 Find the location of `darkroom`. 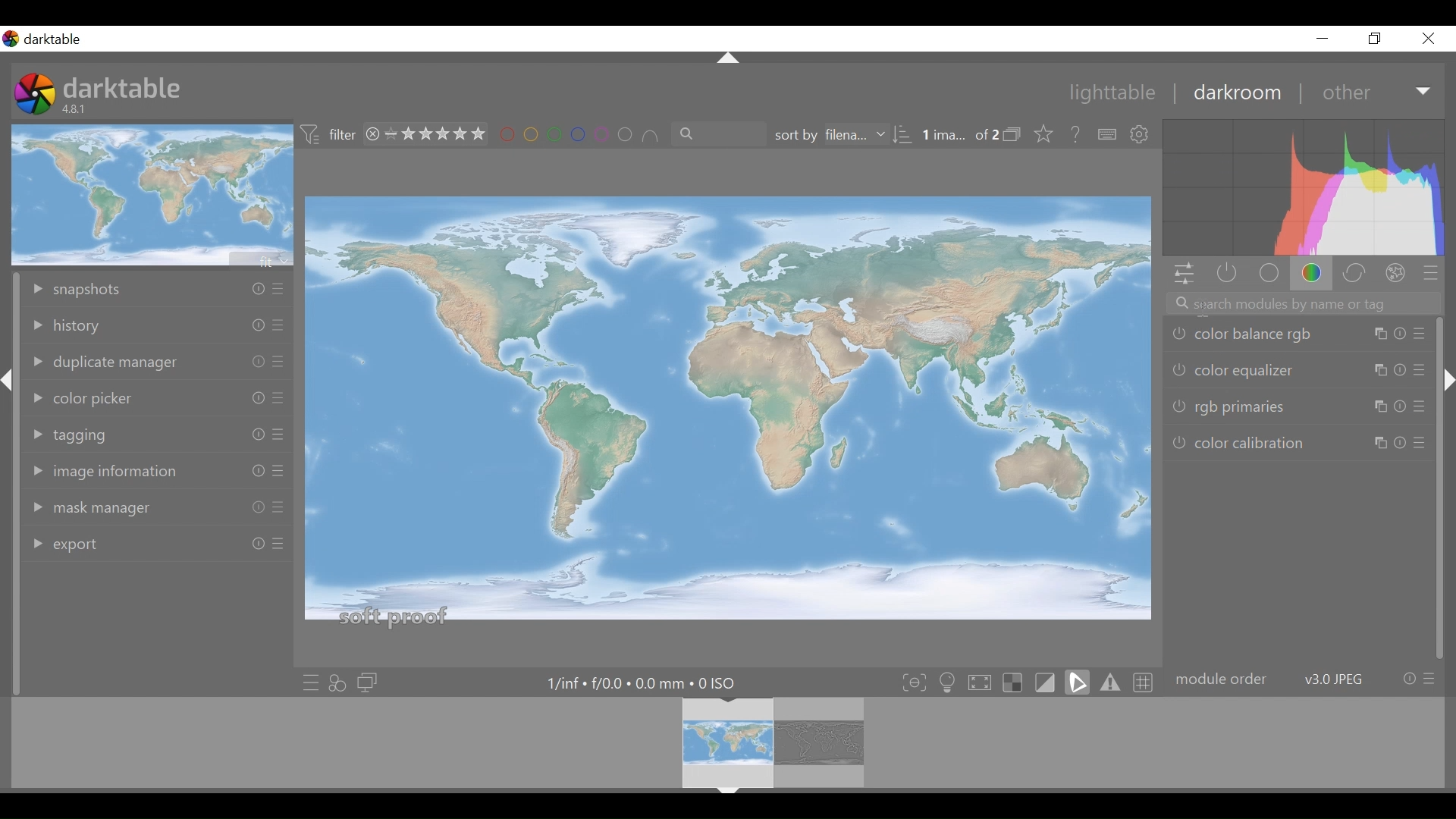

darkroom is located at coordinates (1240, 96).